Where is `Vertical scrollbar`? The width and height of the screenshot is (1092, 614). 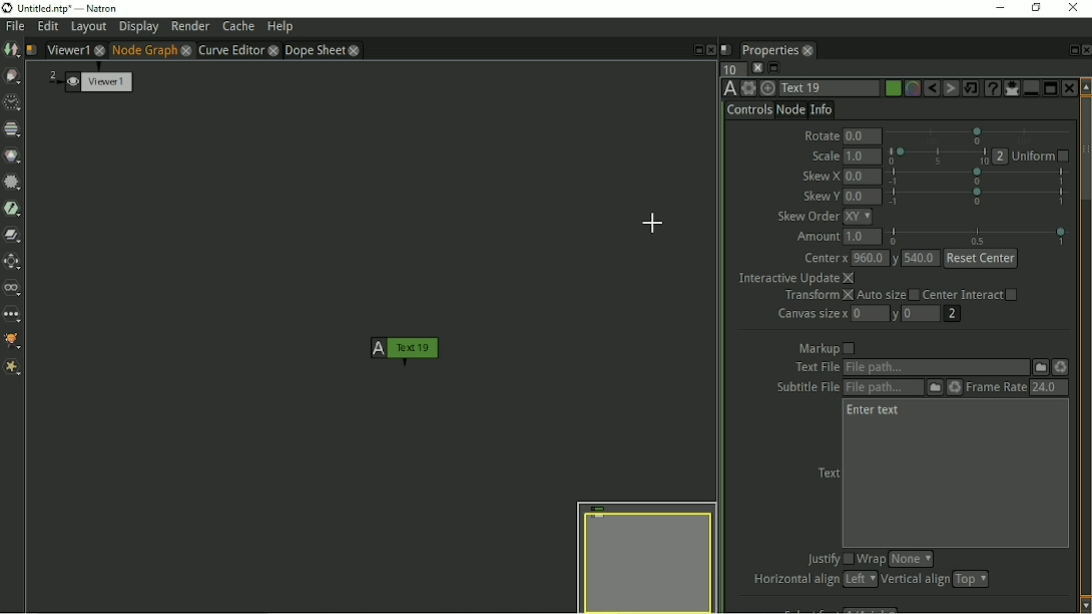
Vertical scrollbar is located at coordinates (1085, 345).